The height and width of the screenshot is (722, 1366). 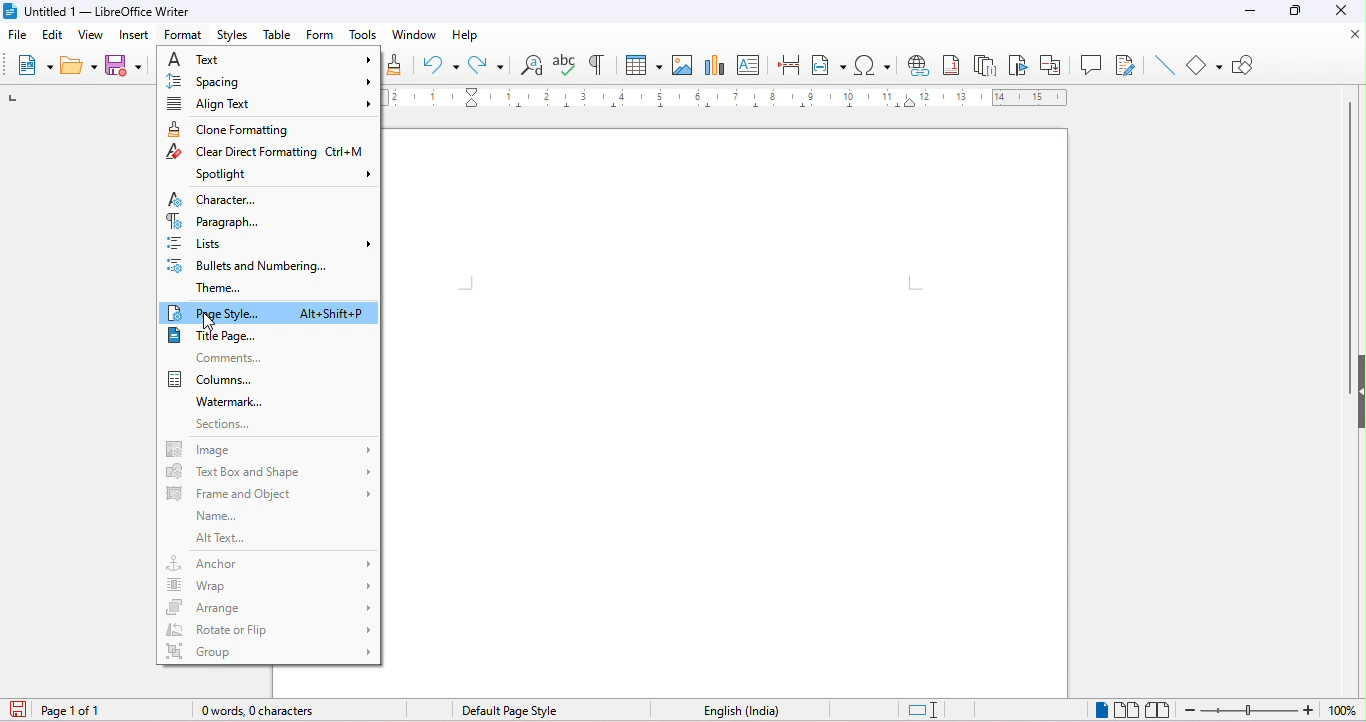 What do you see at coordinates (236, 404) in the screenshot?
I see `watermark` at bounding box center [236, 404].